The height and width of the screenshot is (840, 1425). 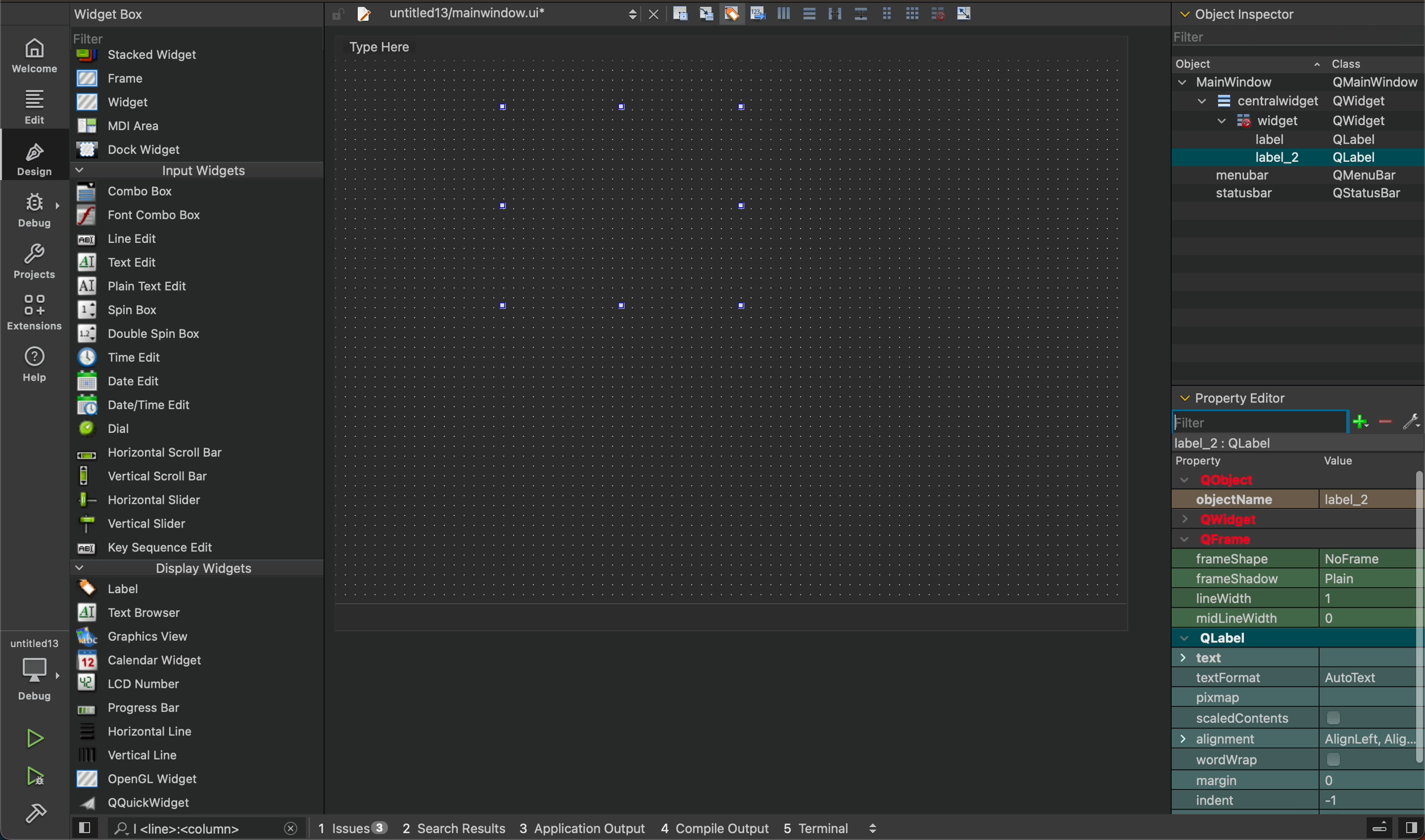 I want to click on , so click(x=1380, y=828).